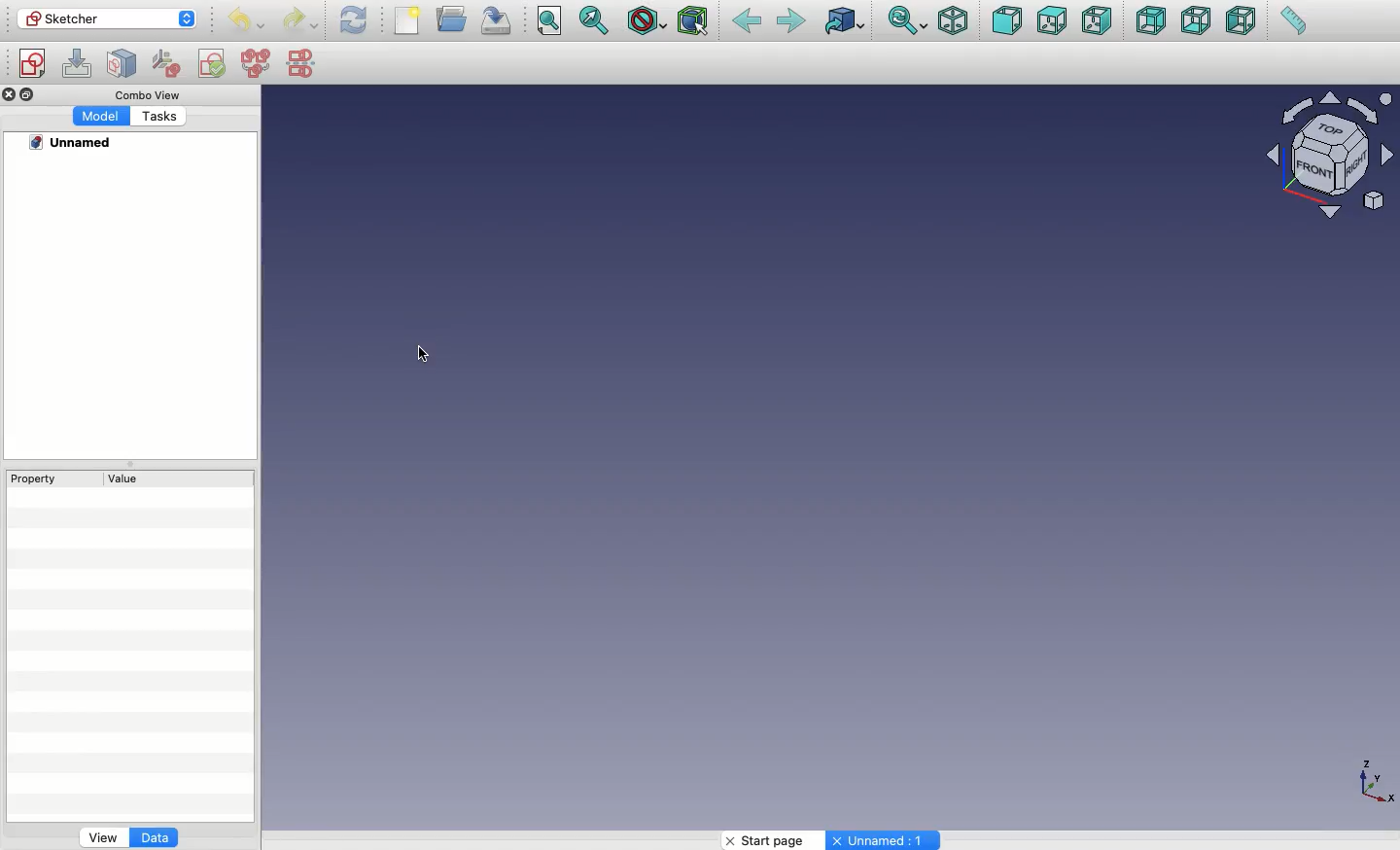 This screenshot has width=1400, height=850. What do you see at coordinates (549, 20) in the screenshot?
I see `Fit all` at bounding box center [549, 20].